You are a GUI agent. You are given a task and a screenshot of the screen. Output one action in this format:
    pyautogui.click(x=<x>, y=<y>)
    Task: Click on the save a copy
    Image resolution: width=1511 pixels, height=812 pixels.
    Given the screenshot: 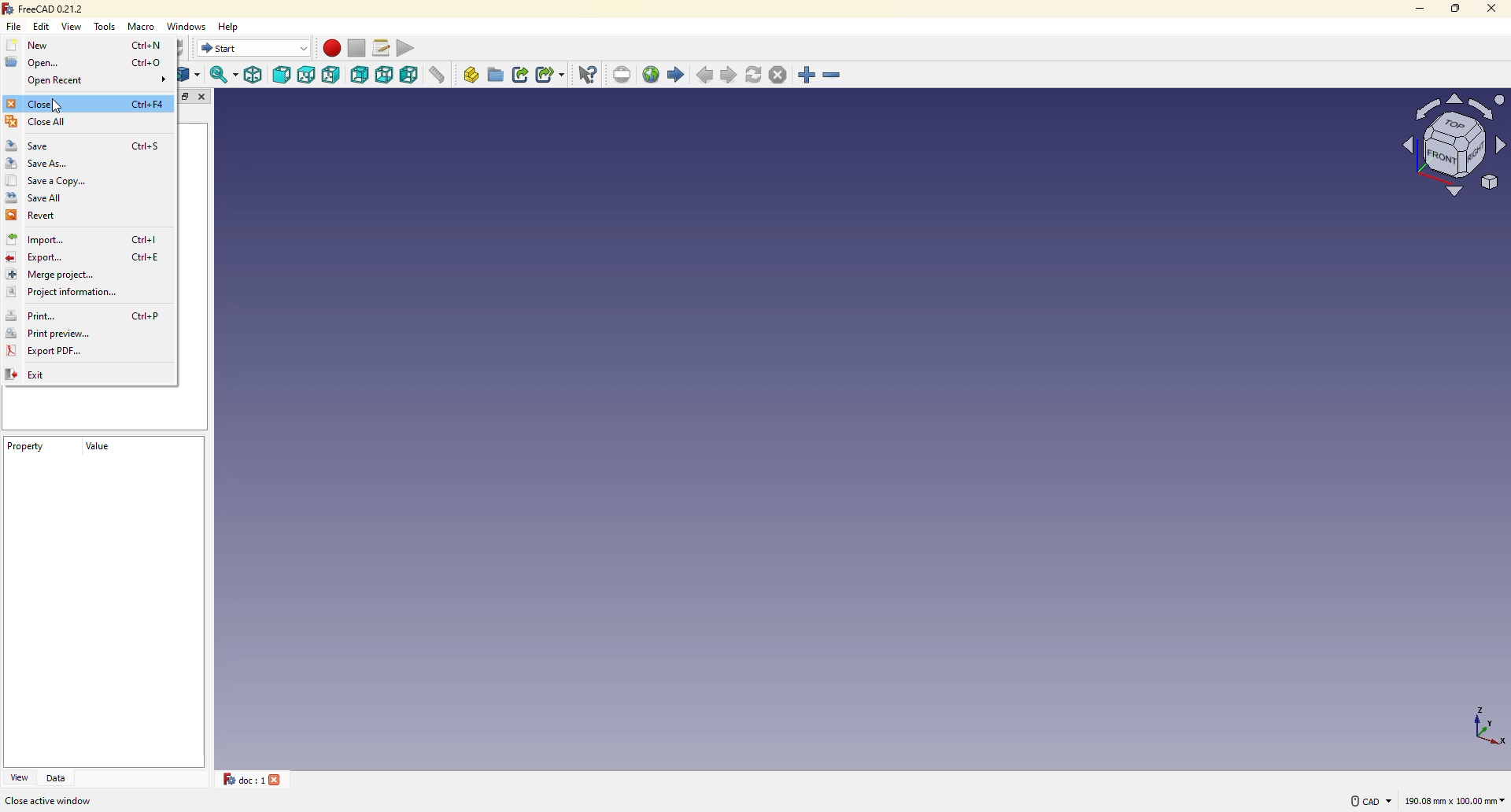 What is the action you would take?
    pyautogui.click(x=46, y=181)
    